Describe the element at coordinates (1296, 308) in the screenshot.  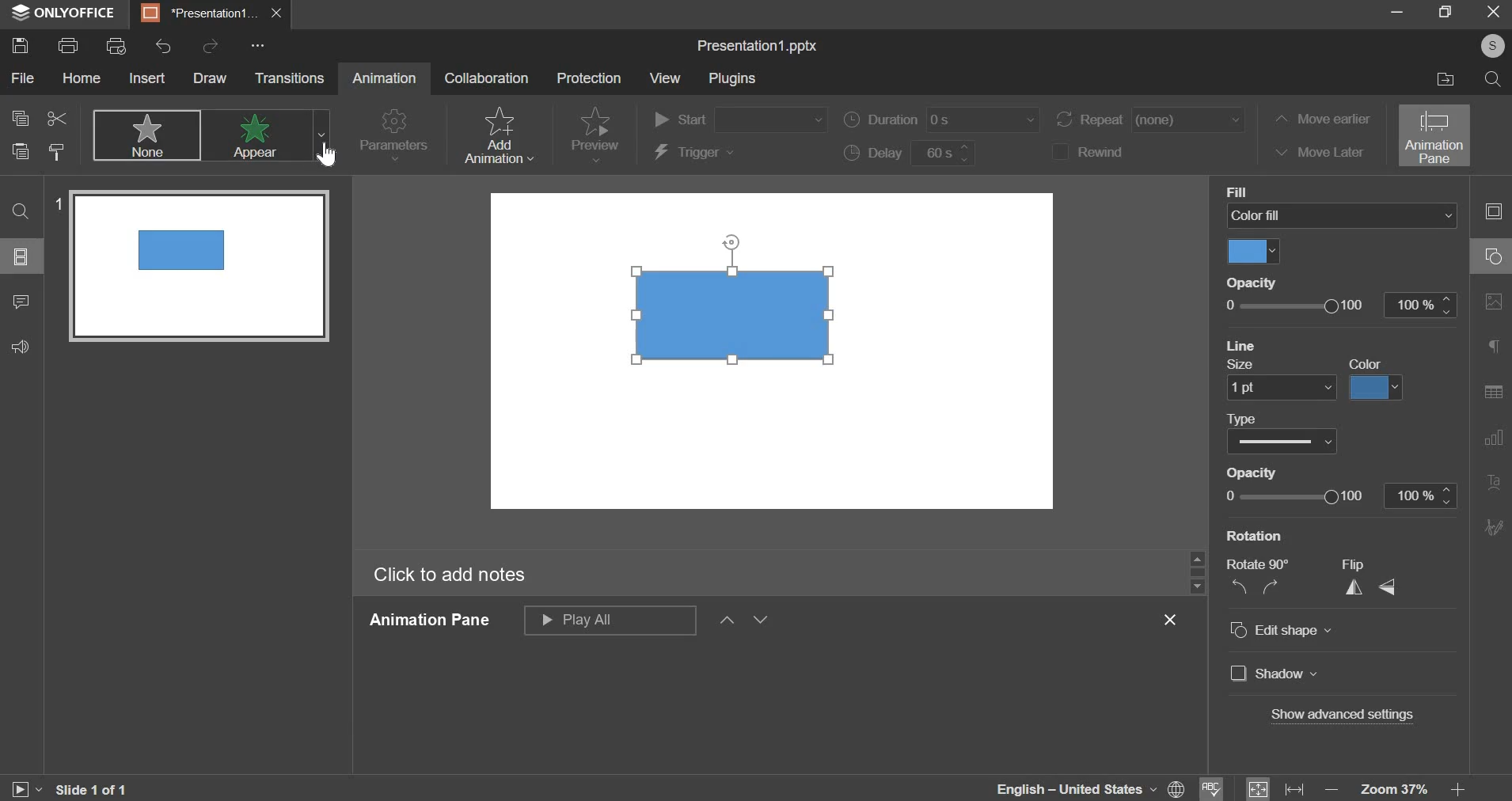
I see `opacity` at that location.